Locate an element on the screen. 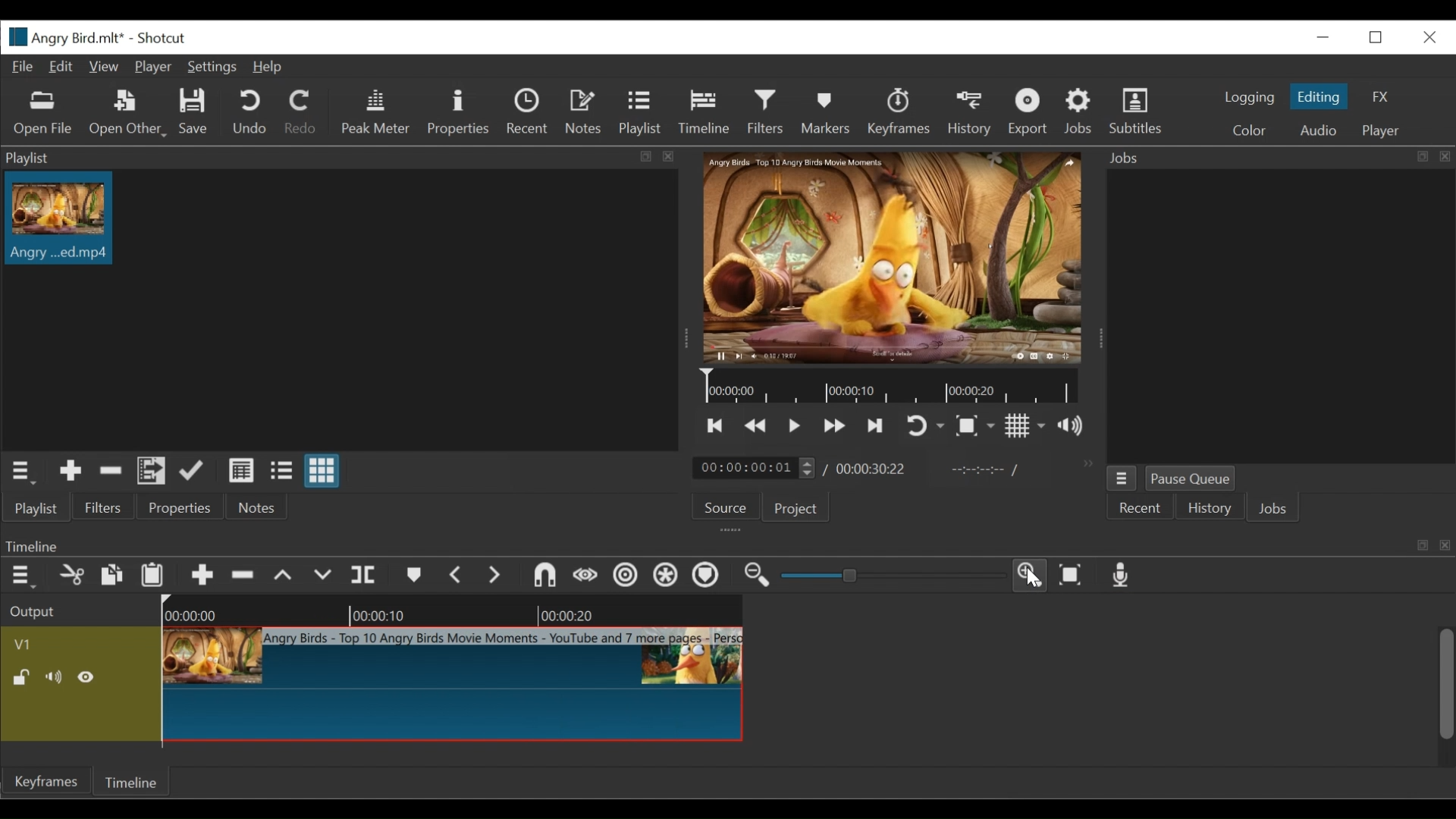 The image size is (1456, 819). Split playhead is located at coordinates (365, 576).